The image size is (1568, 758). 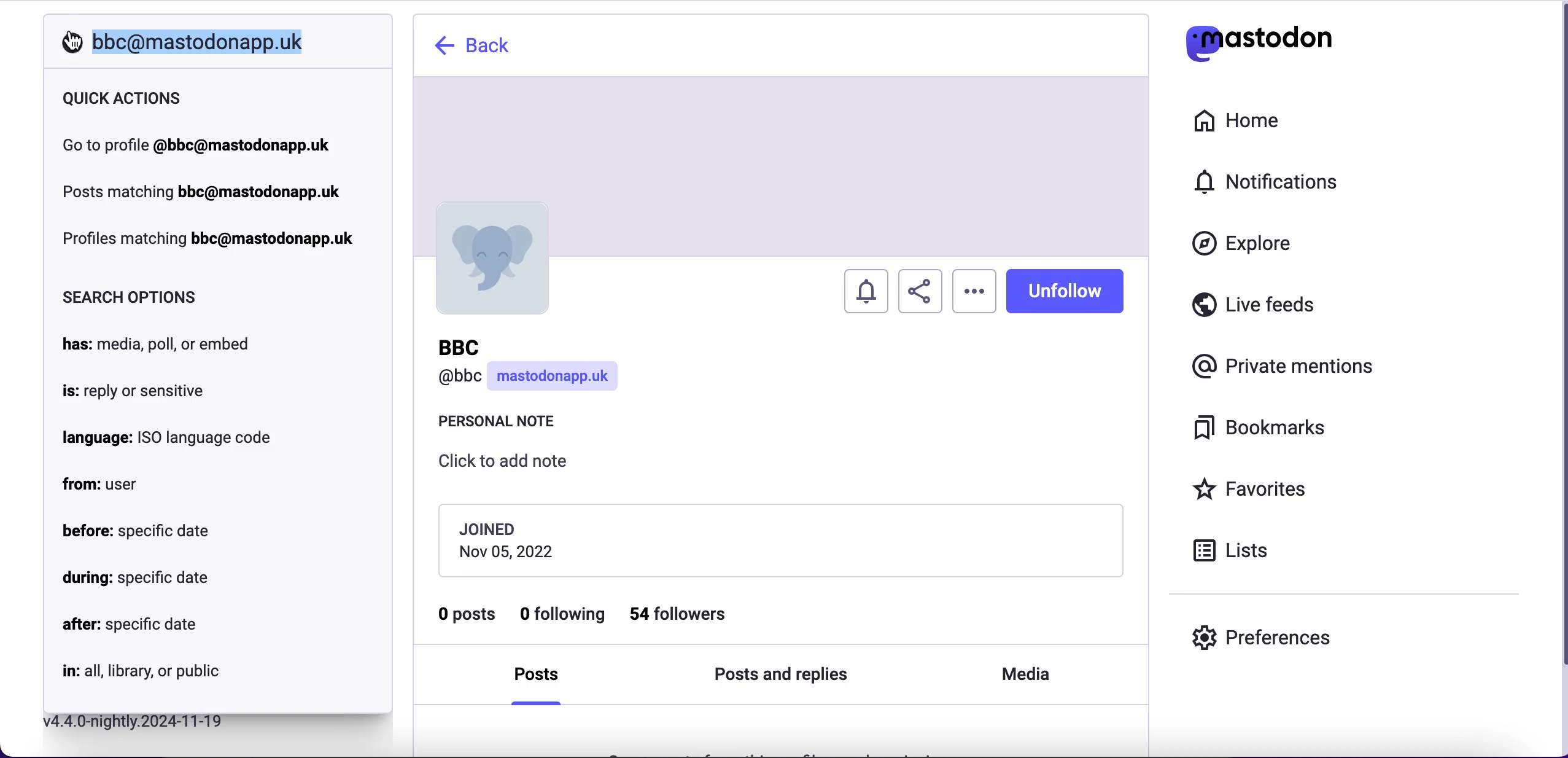 I want to click on home, so click(x=1234, y=121).